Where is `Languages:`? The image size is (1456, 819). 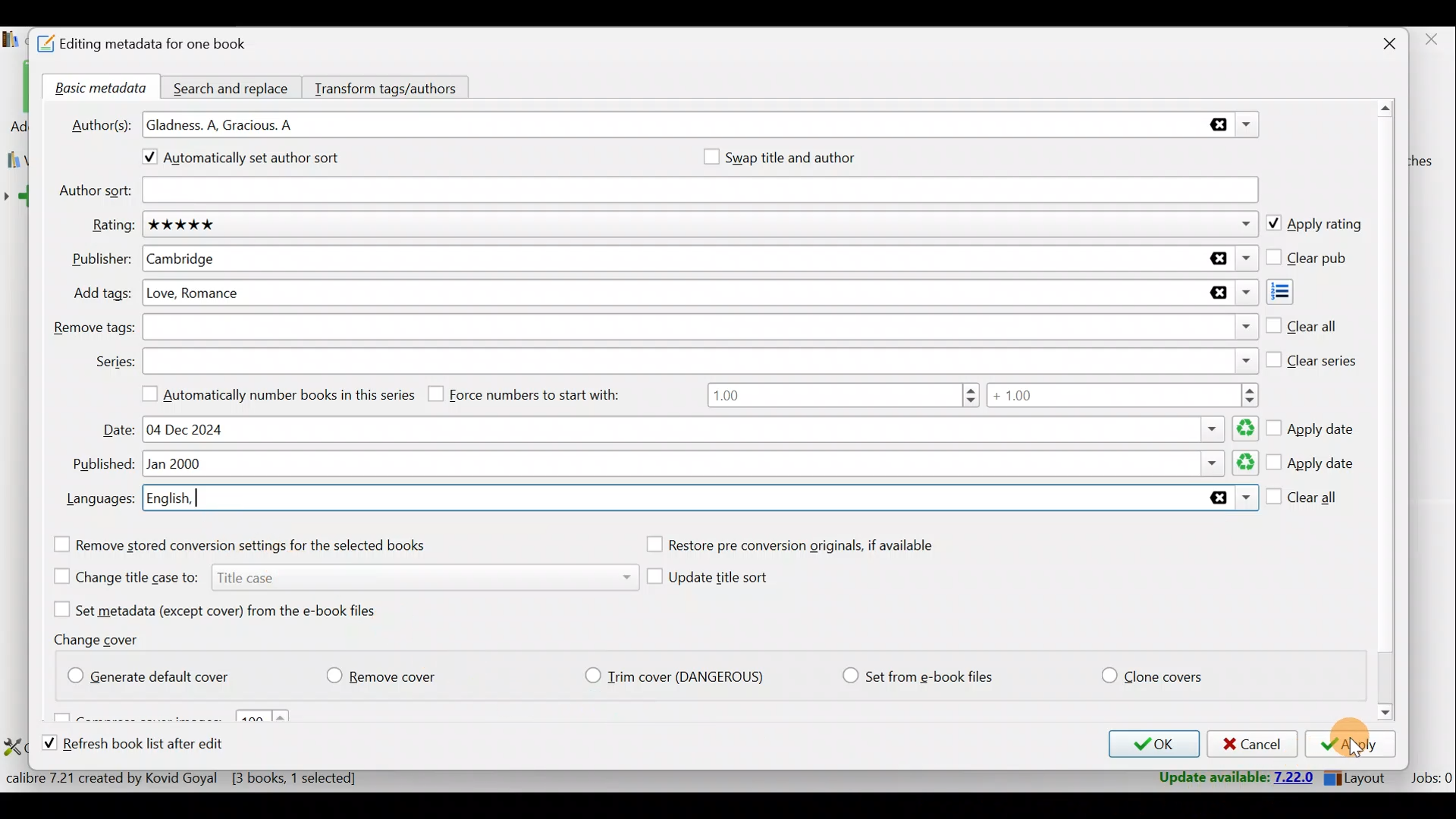
Languages: is located at coordinates (99, 500).